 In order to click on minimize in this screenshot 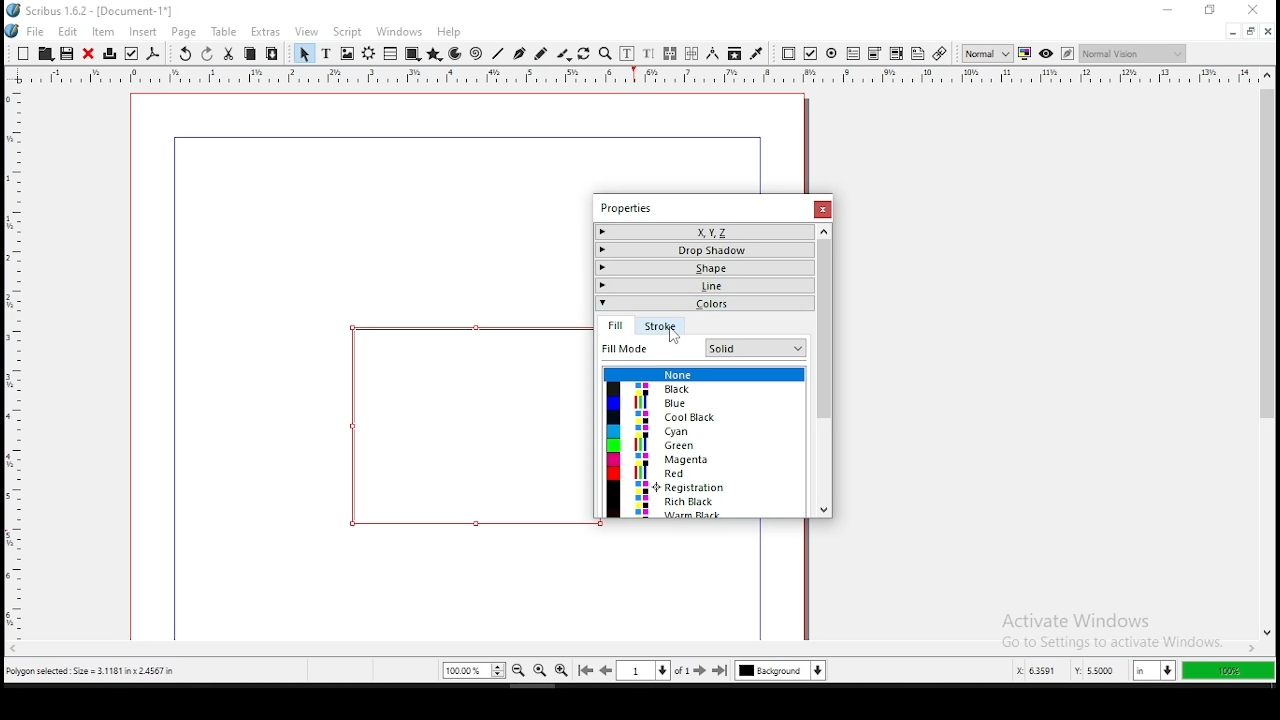, I will do `click(1232, 33)`.